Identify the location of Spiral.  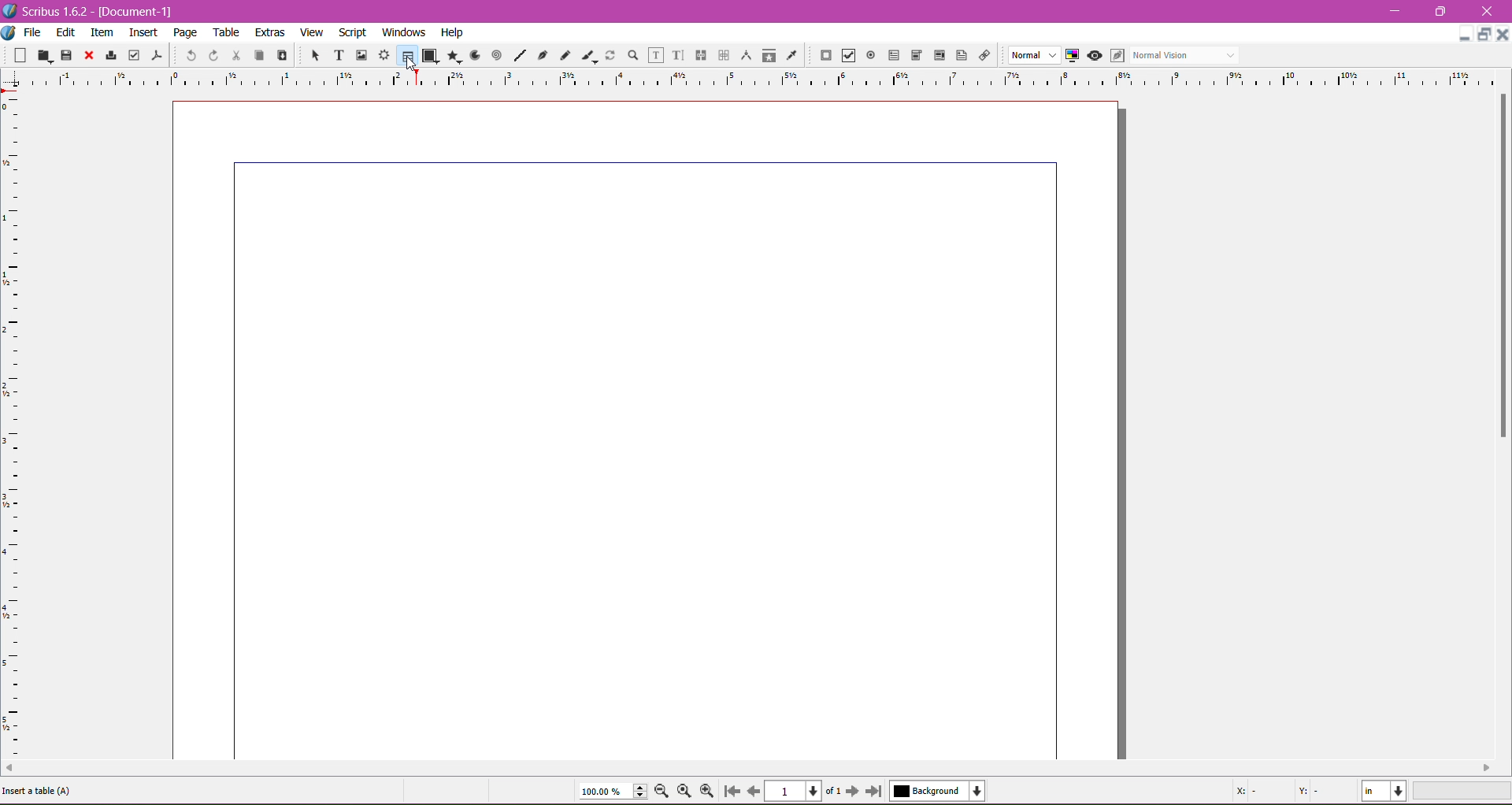
(495, 54).